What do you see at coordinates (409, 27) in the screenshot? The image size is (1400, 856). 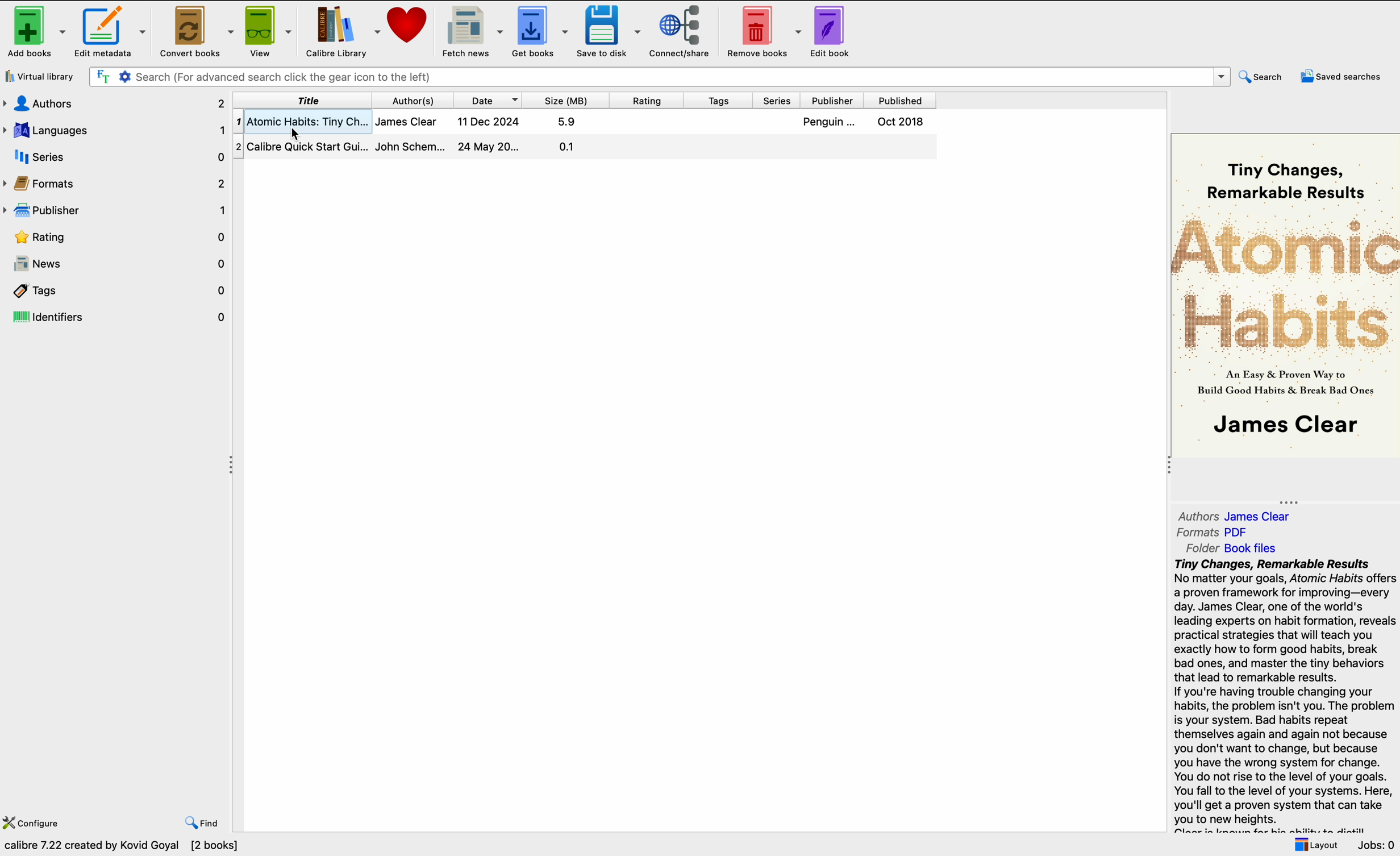 I see `donate` at bounding box center [409, 27].